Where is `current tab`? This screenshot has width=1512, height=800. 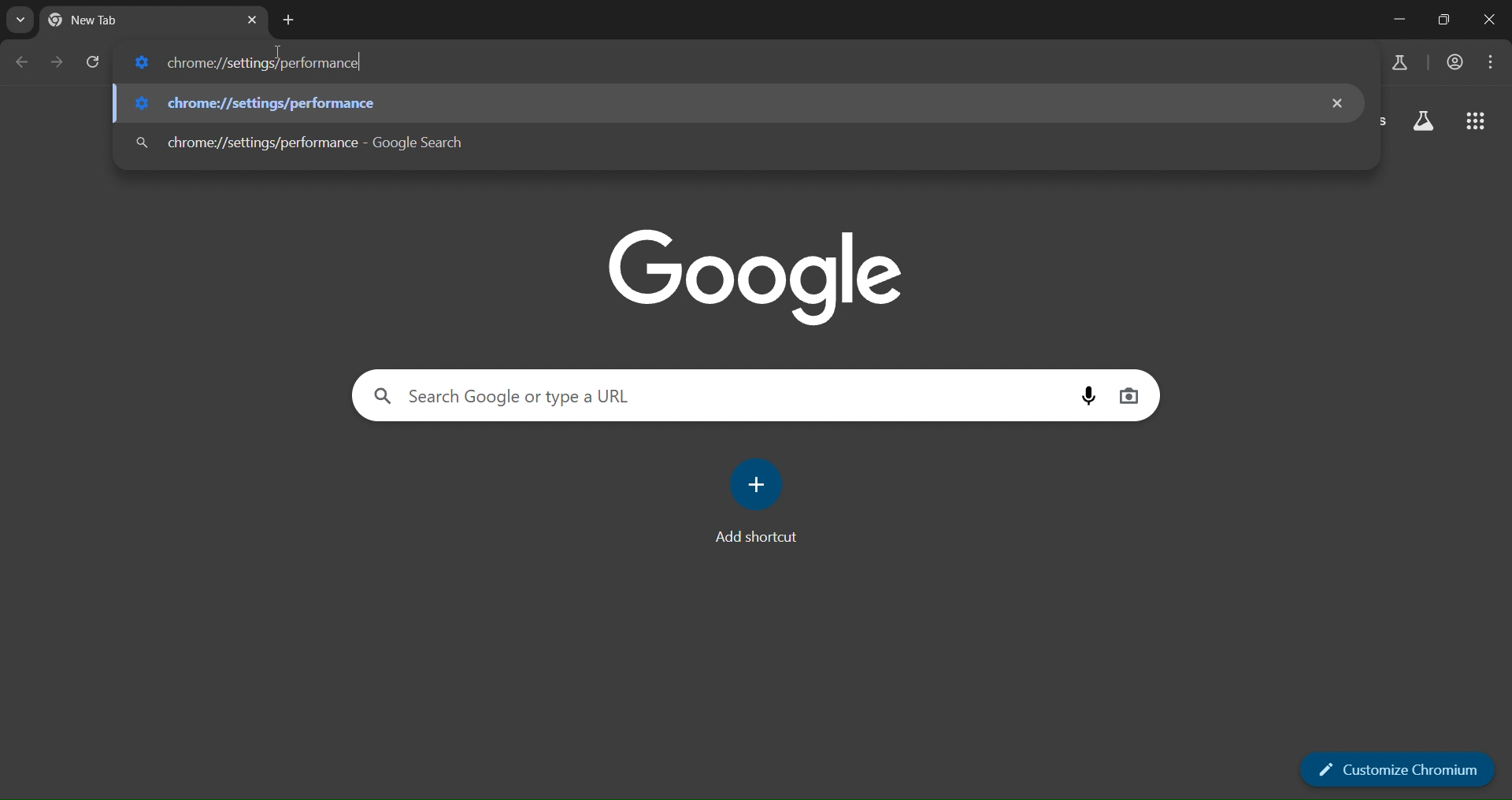
current tab is located at coordinates (106, 24).